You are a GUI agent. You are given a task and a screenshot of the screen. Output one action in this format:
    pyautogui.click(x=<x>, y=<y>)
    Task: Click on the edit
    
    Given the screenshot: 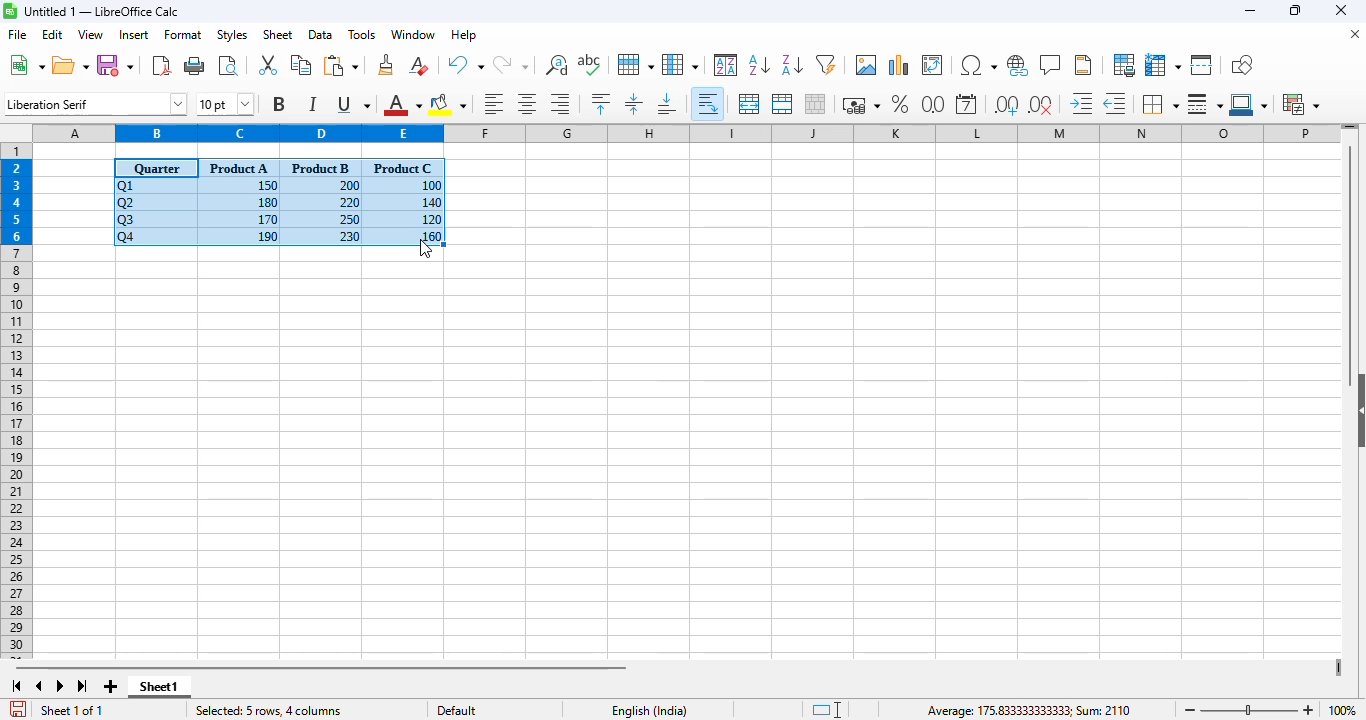 What is the action you would take?
    pyautogui.click(x=53, y=34)
    